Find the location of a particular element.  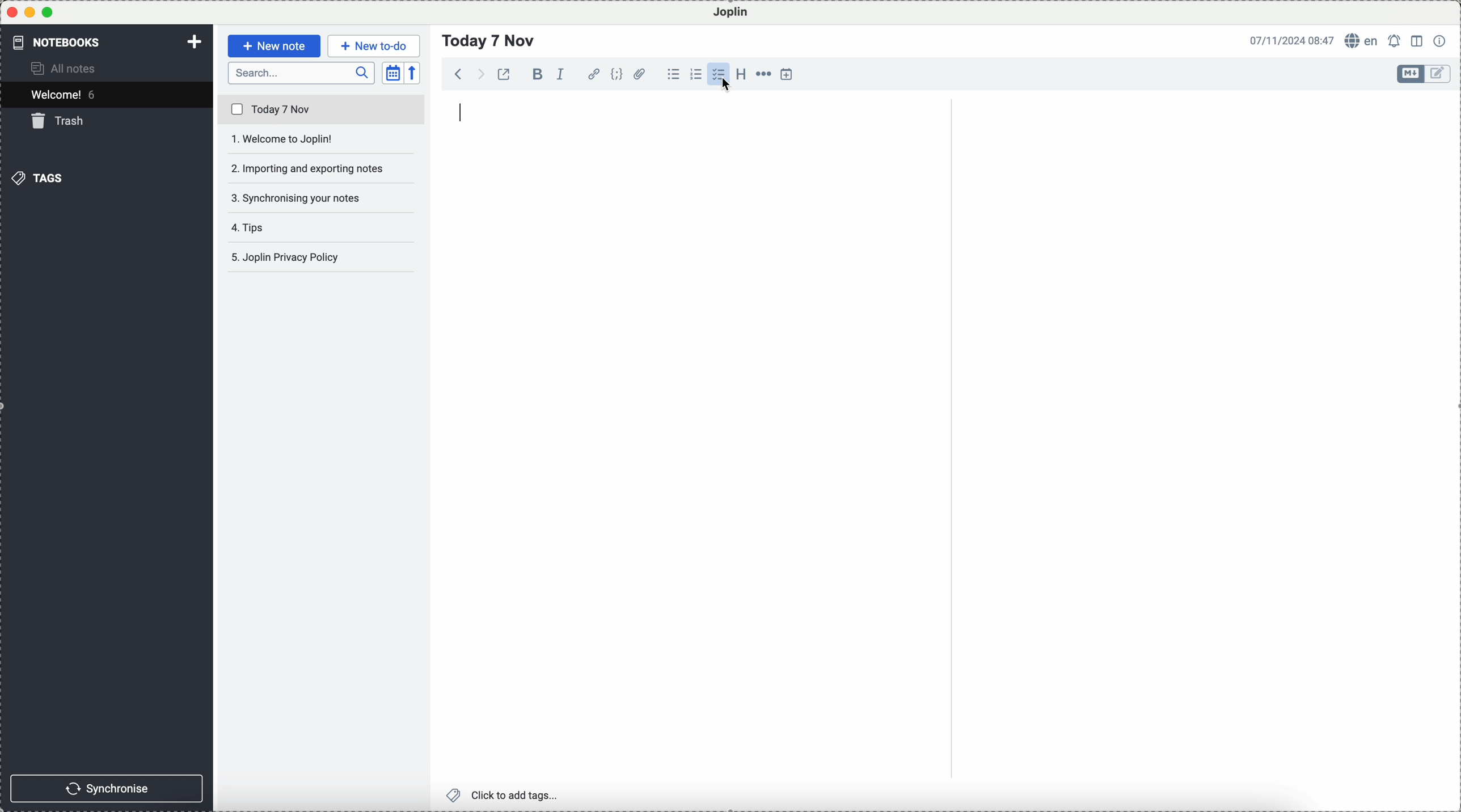

heading is located at coordinates (741, 73).